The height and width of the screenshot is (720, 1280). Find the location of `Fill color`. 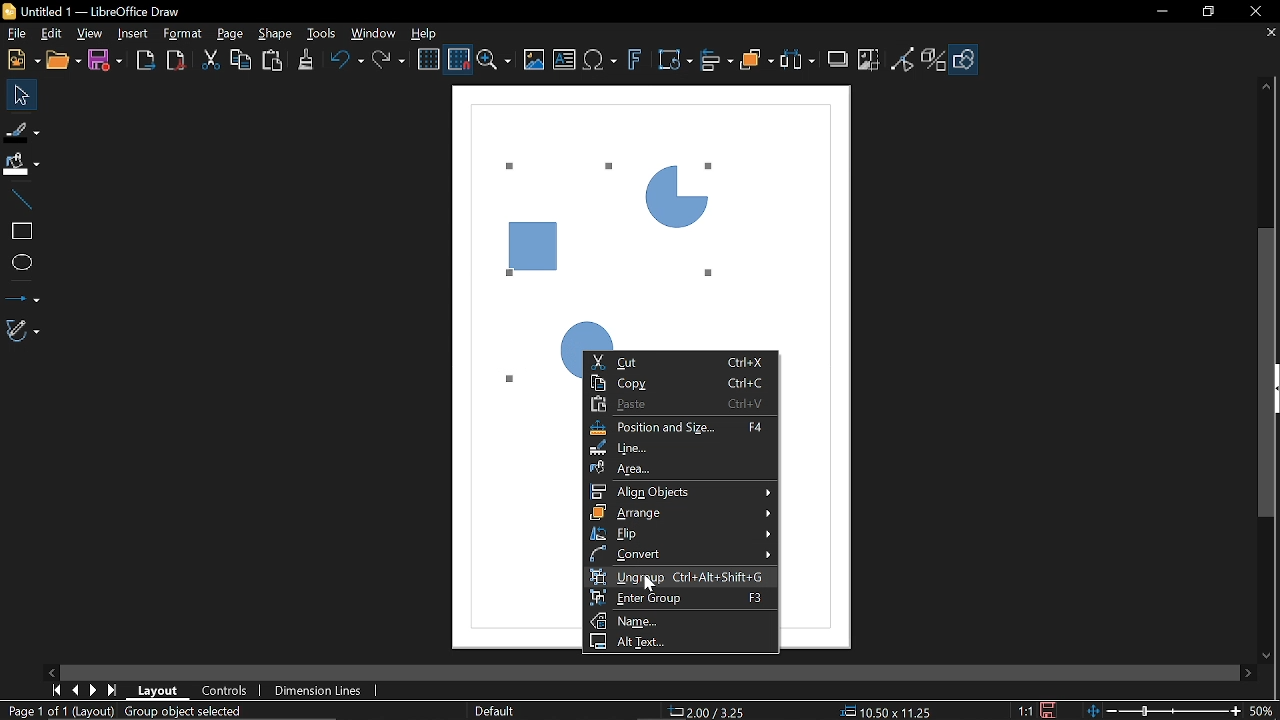

Fill color is located at coordinates (21, 163).